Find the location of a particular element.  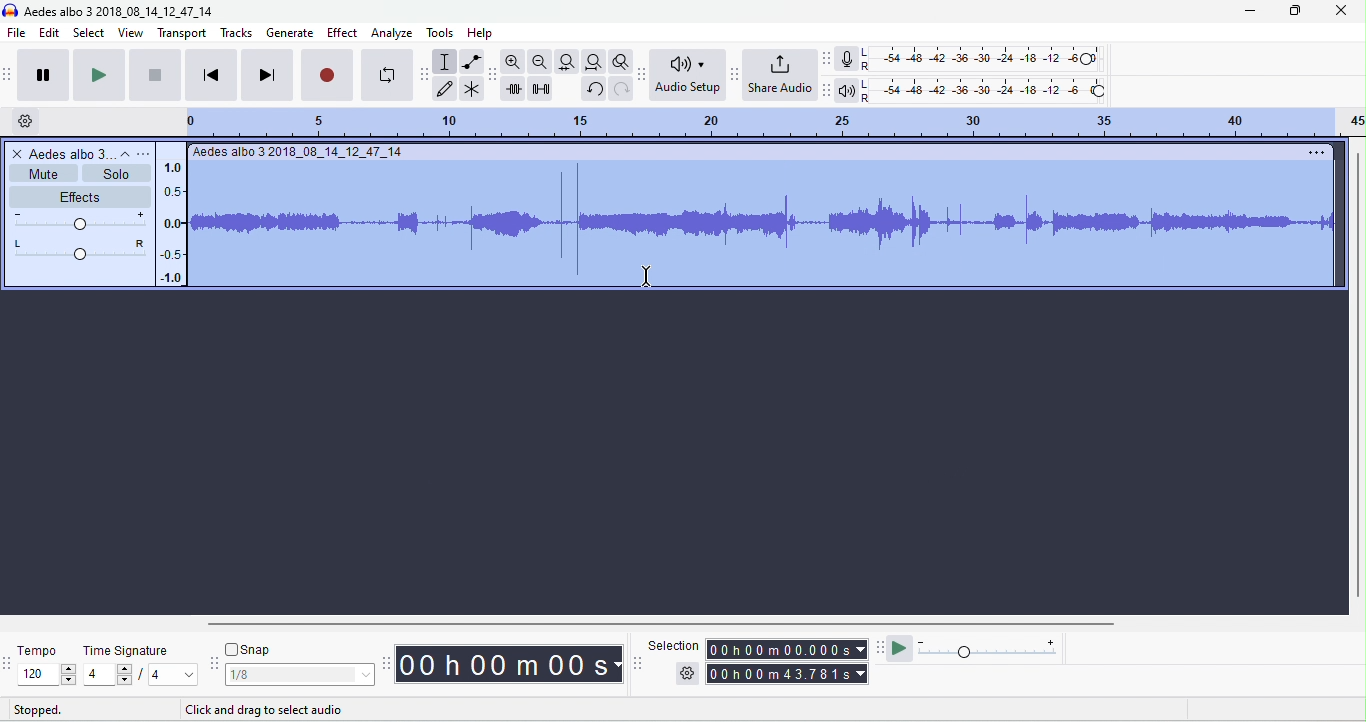

clicks removed is located at coordinates (766, 221).